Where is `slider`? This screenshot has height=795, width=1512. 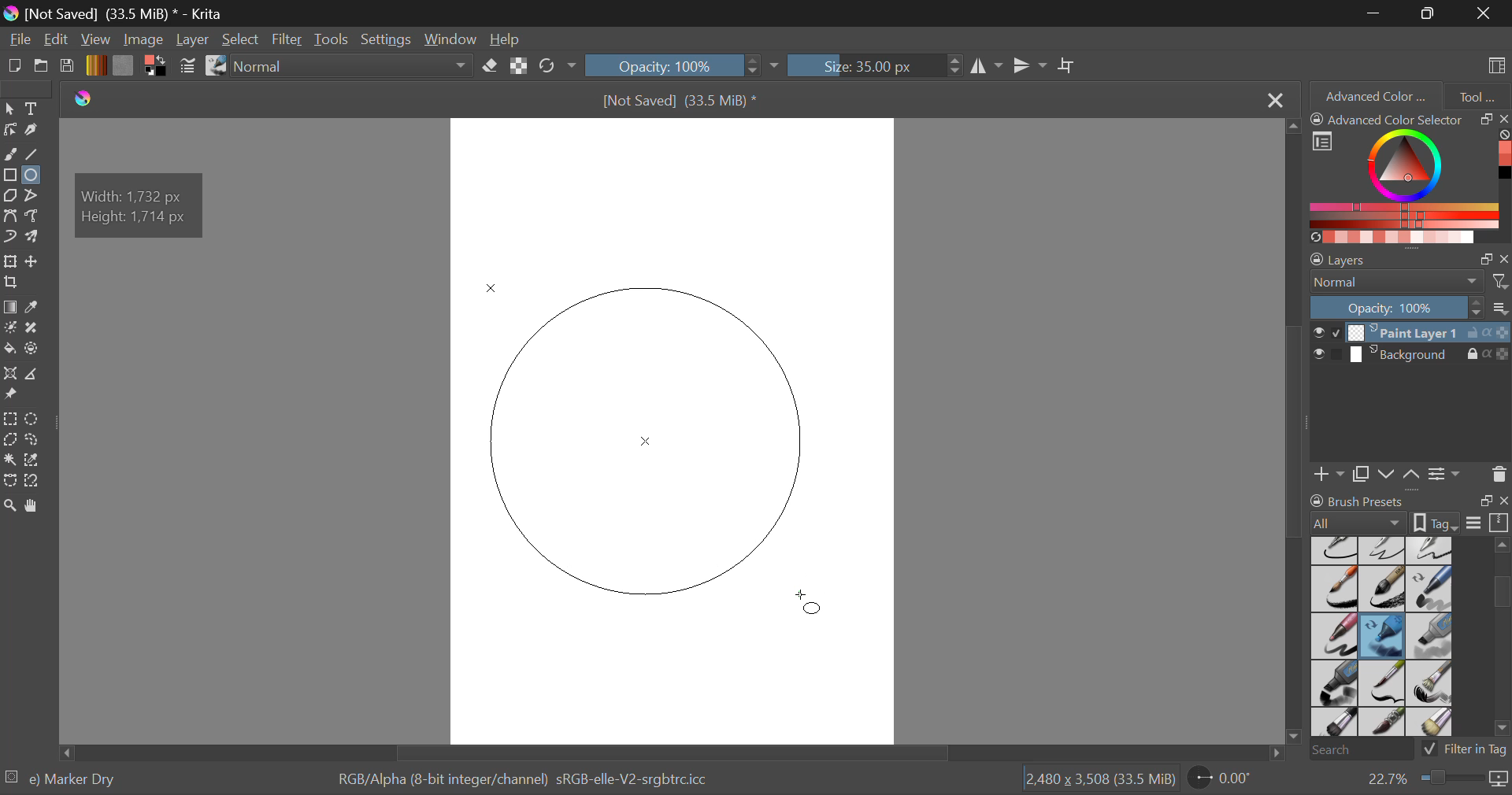
slider is located at coordinates (1494, 638).